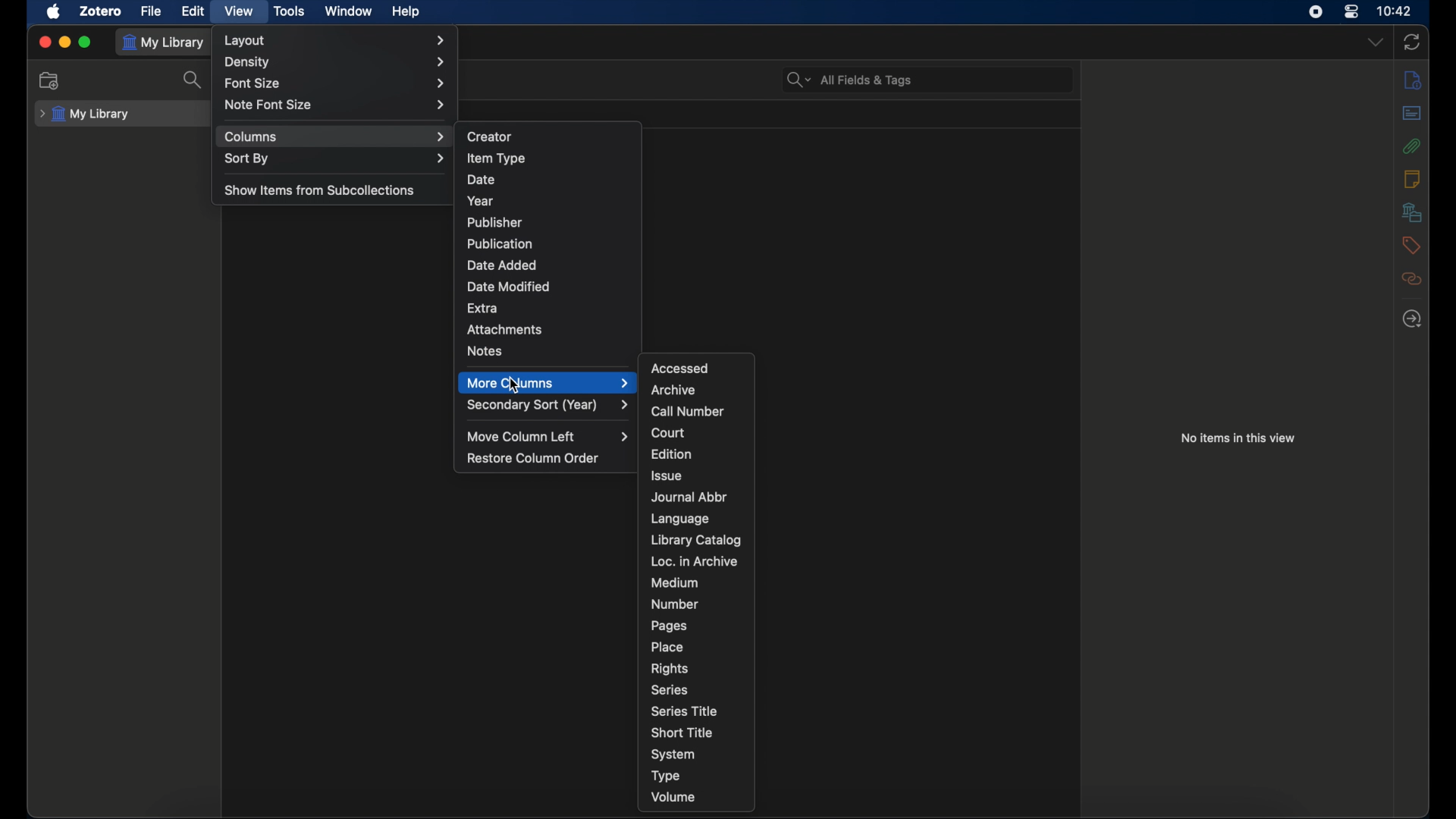 The height and width of the screenshot is (819, 1456). What do you see at coordinates (85, 42) in the screenshot?
I see `maximize` at bounding box center [85, 42].